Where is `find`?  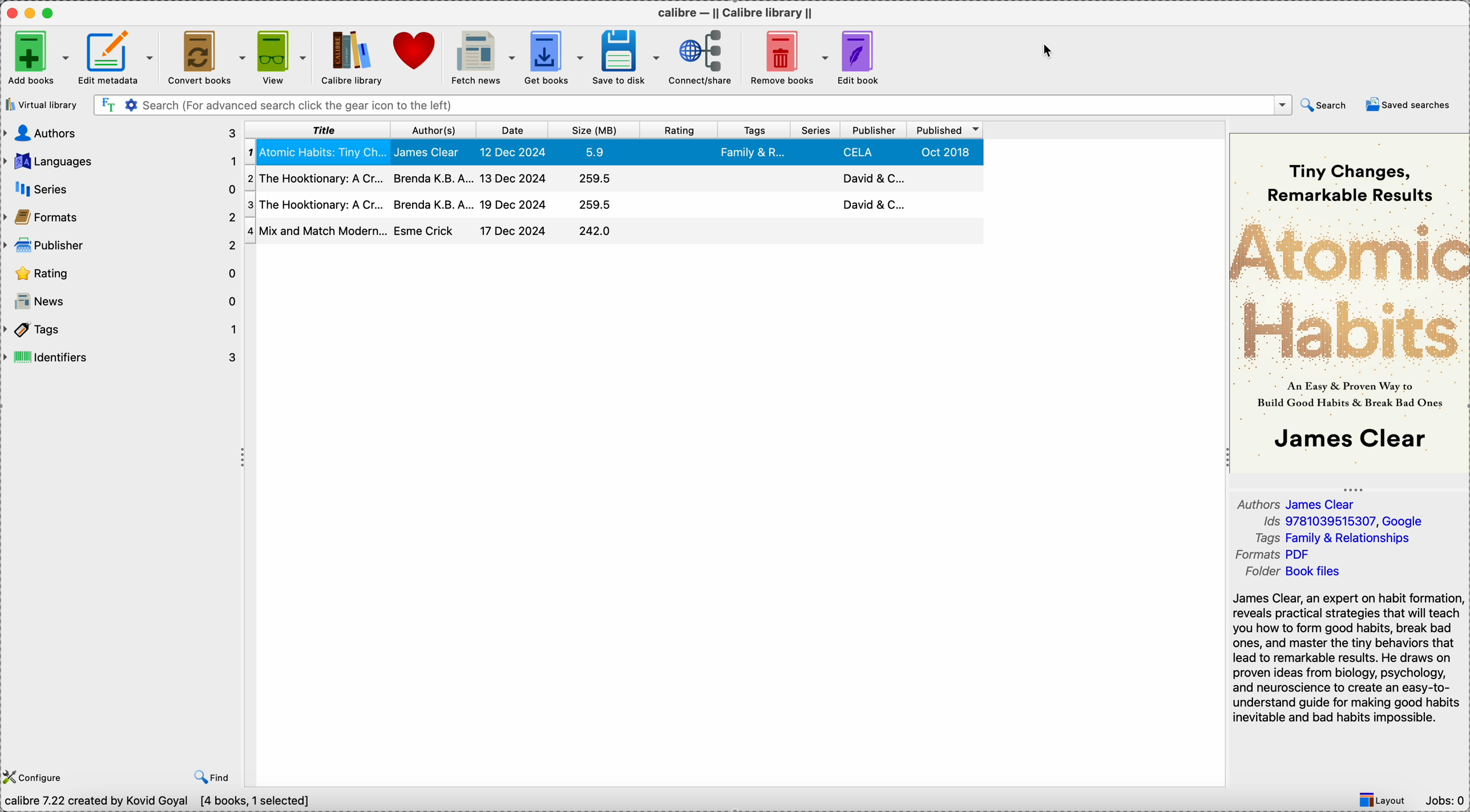
find is located at coordinates (208, 778).